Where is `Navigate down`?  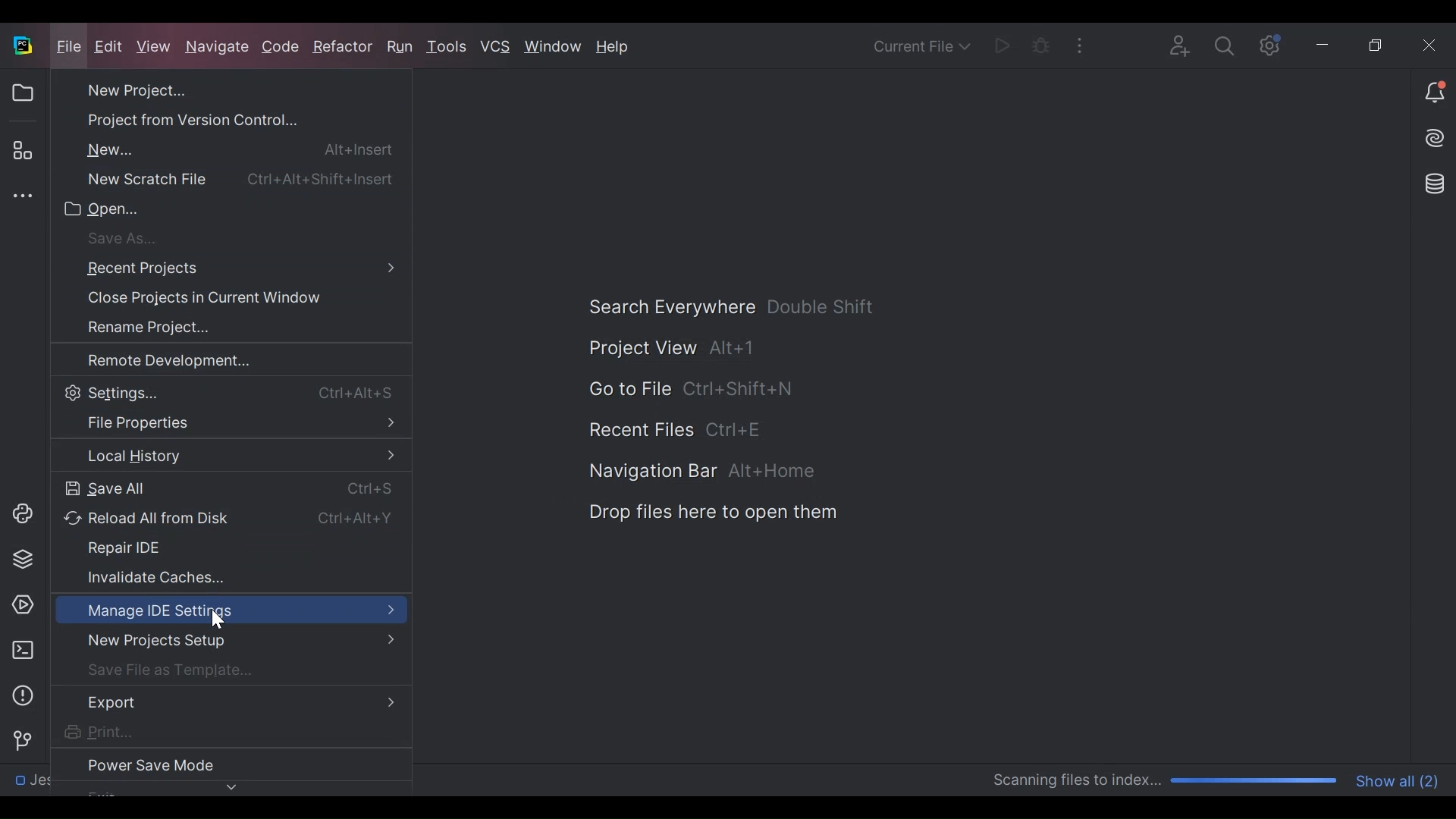 Navigate down is located at coordinates (224, 786).